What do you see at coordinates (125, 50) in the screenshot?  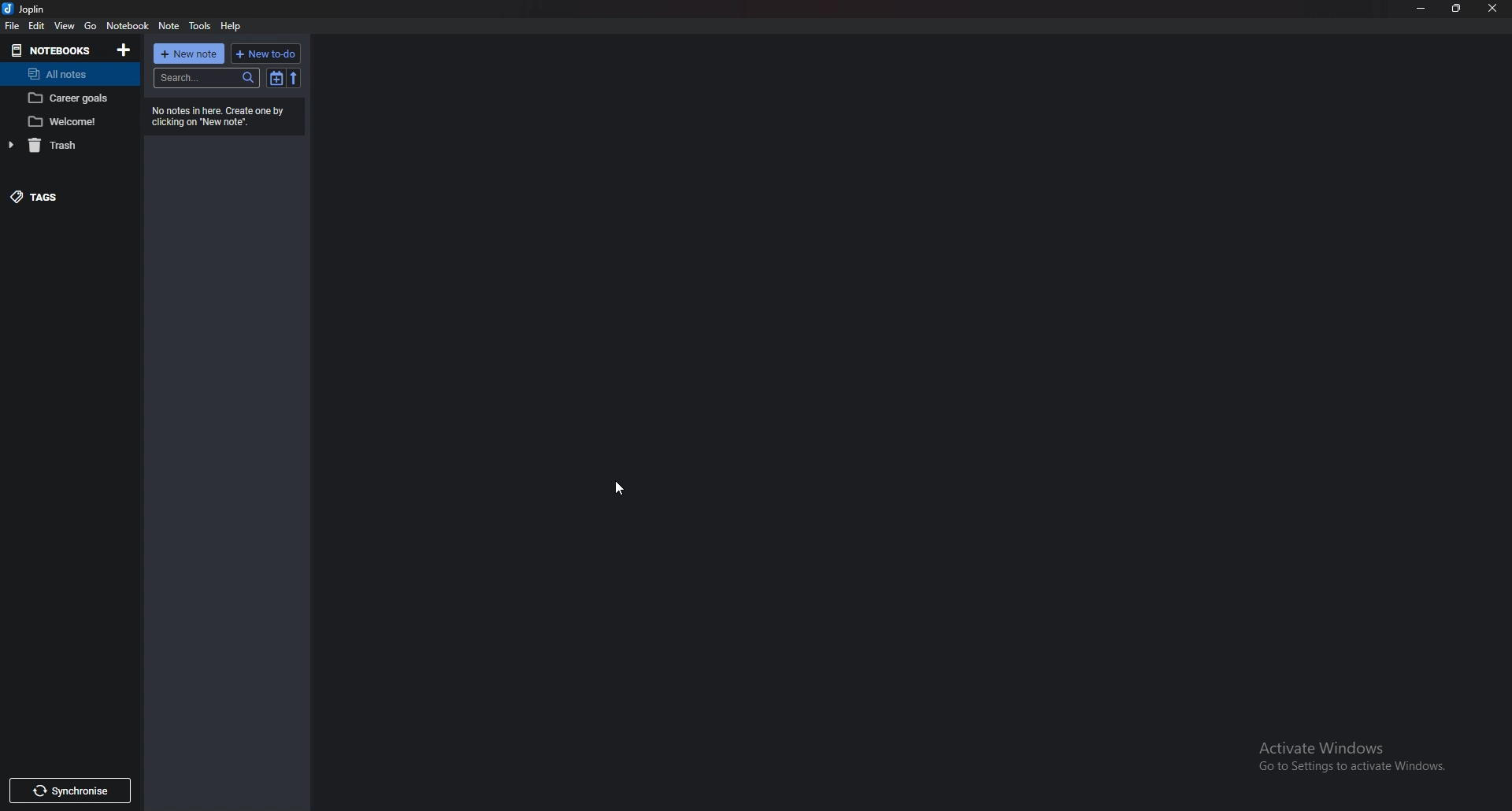 I see `add notebook` at bounding box center [125, 50].